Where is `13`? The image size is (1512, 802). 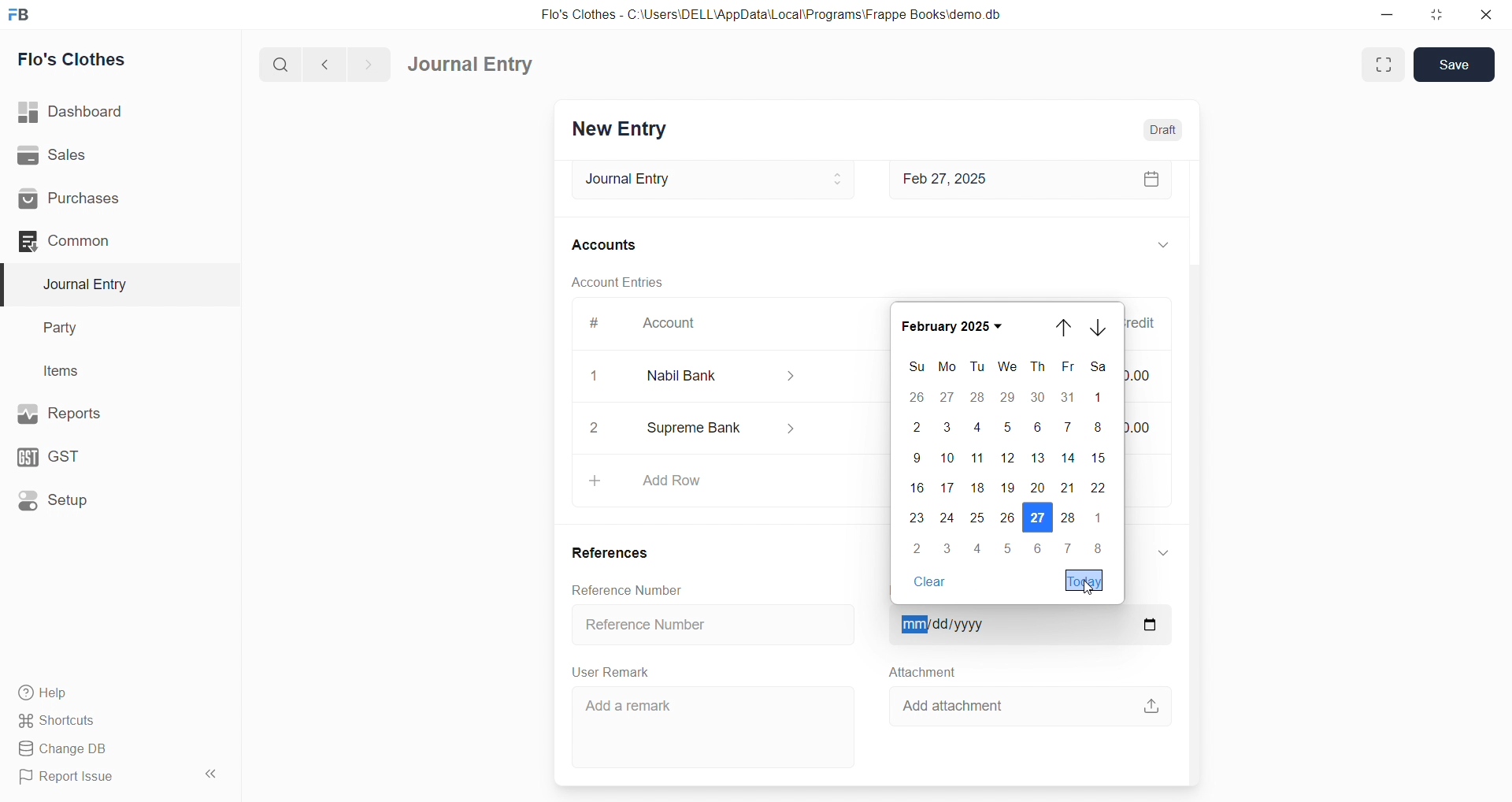
13 is located at coordinates (1038, 459).